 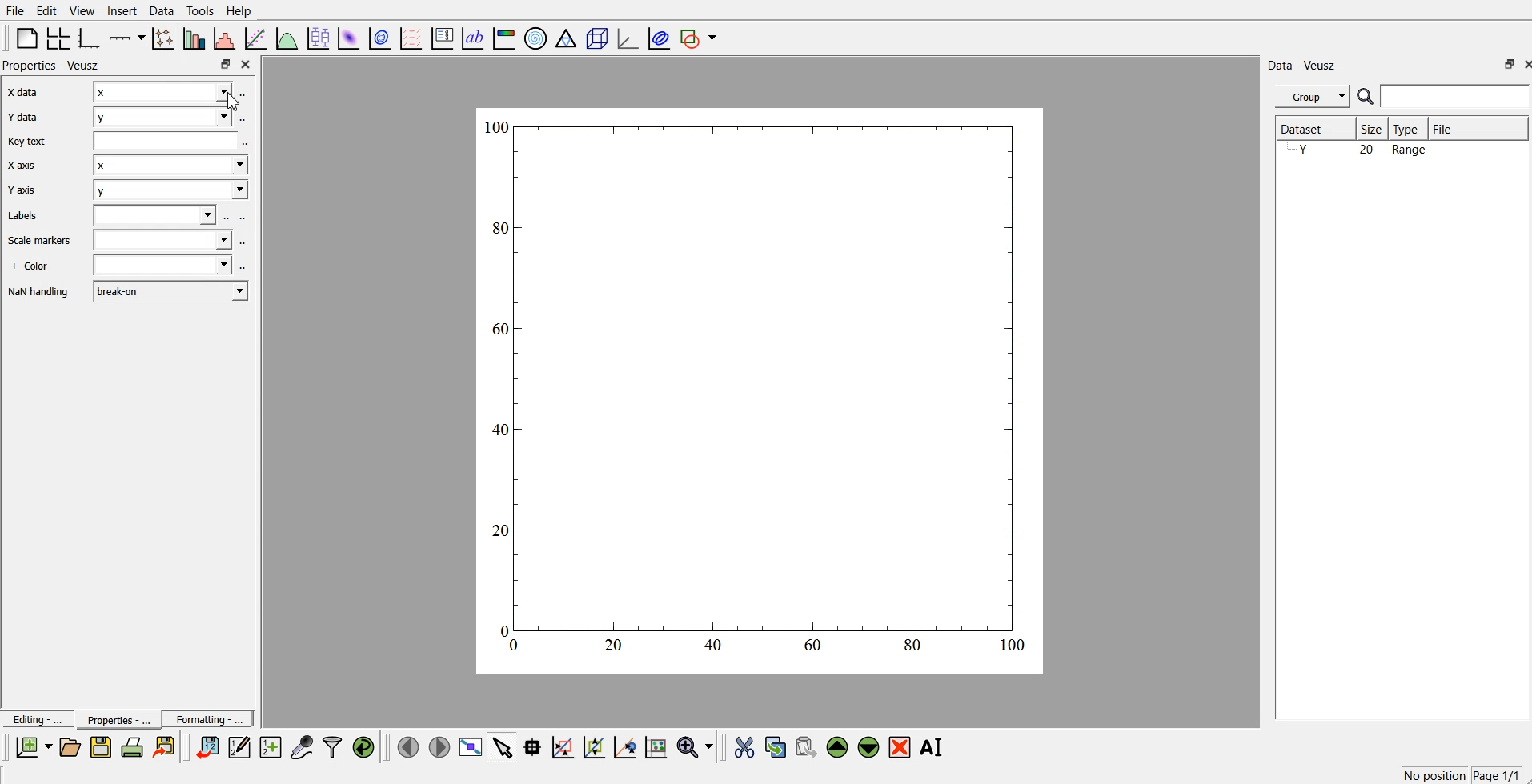 I want to click on Export to graphics format, so click(x=167, y=748).